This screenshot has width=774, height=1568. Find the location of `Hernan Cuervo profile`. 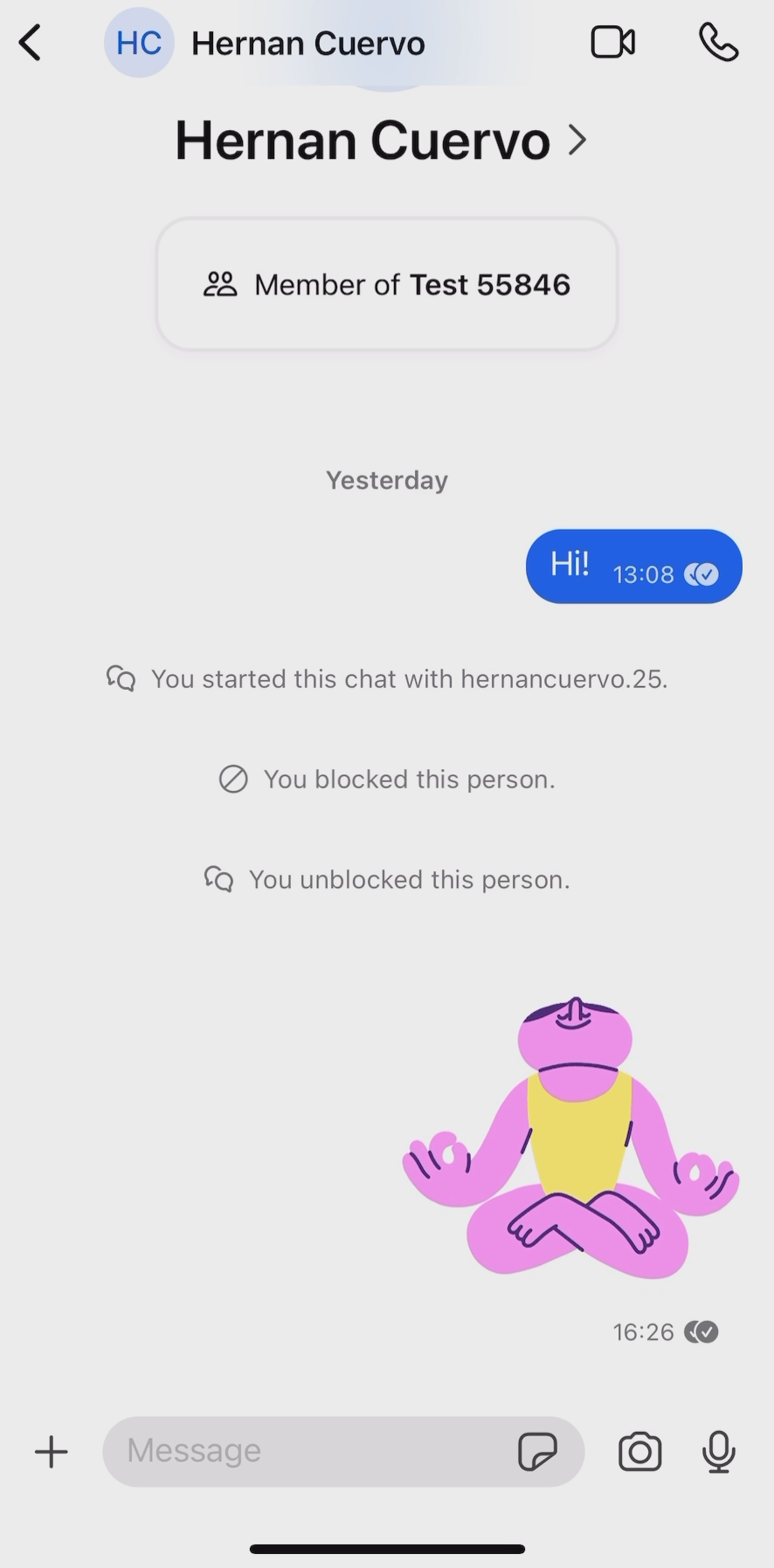

Hernan Cuervo profile is located at coordinates (264, 40).